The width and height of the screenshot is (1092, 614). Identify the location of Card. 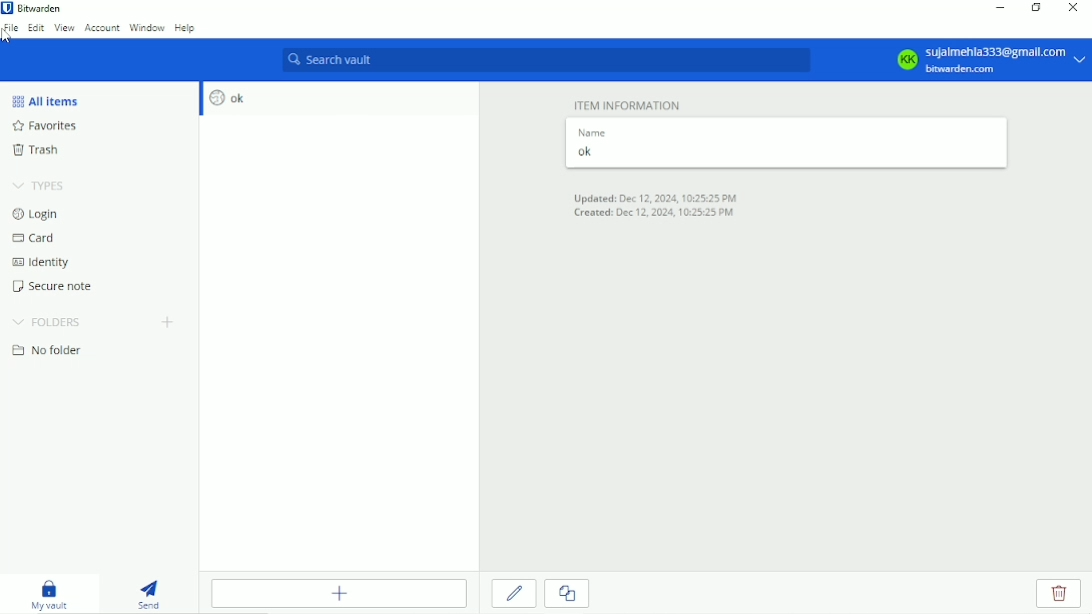
(38, 240).